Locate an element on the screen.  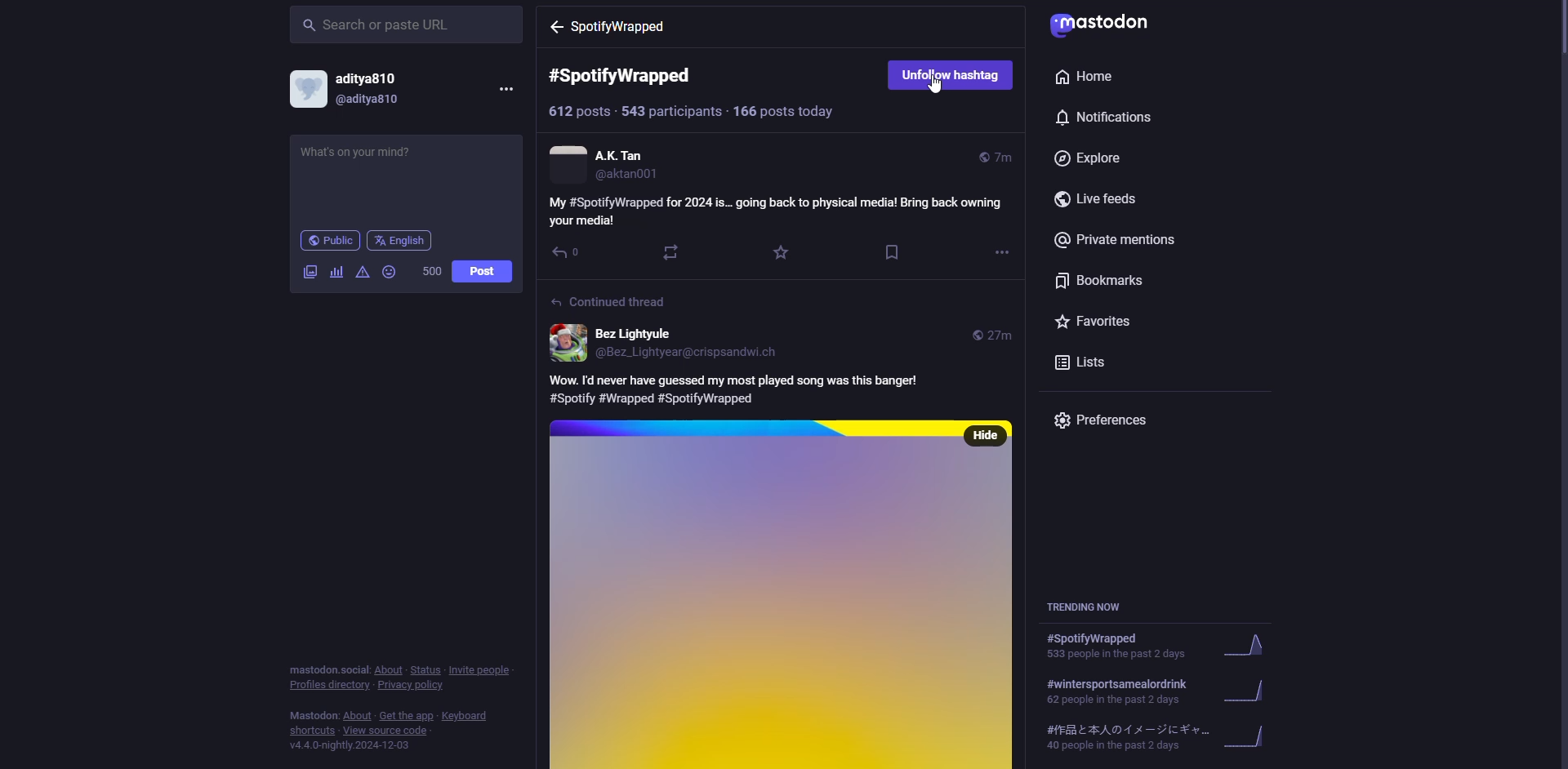
time is located at coordinates (993, 336).